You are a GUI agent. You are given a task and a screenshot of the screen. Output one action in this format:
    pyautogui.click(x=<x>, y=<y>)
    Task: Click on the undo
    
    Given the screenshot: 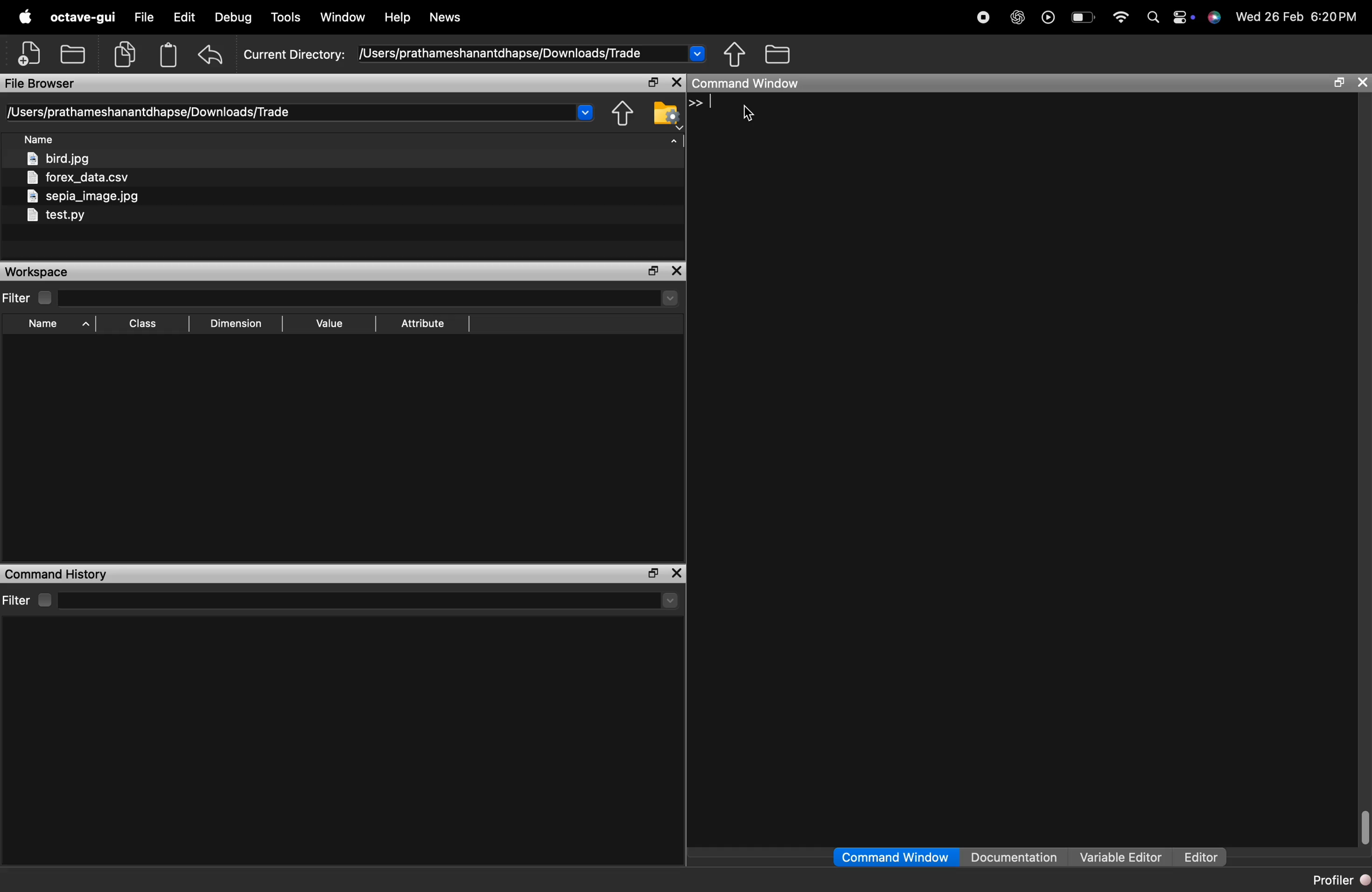 What is the action you would take?
    pyautogui.click(x=212, y=55)
    